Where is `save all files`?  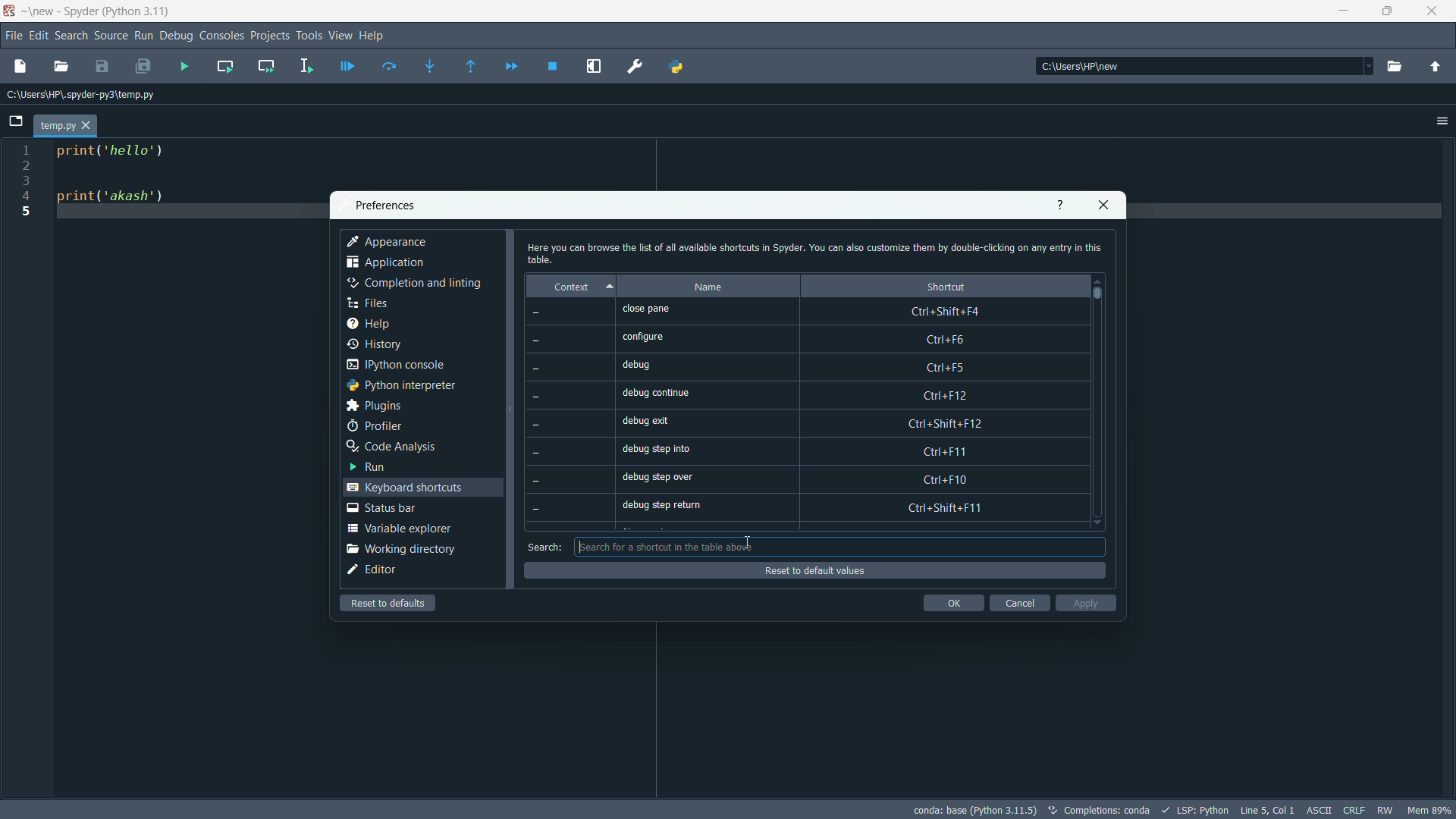
save all files is located at coordinates (143, 65).